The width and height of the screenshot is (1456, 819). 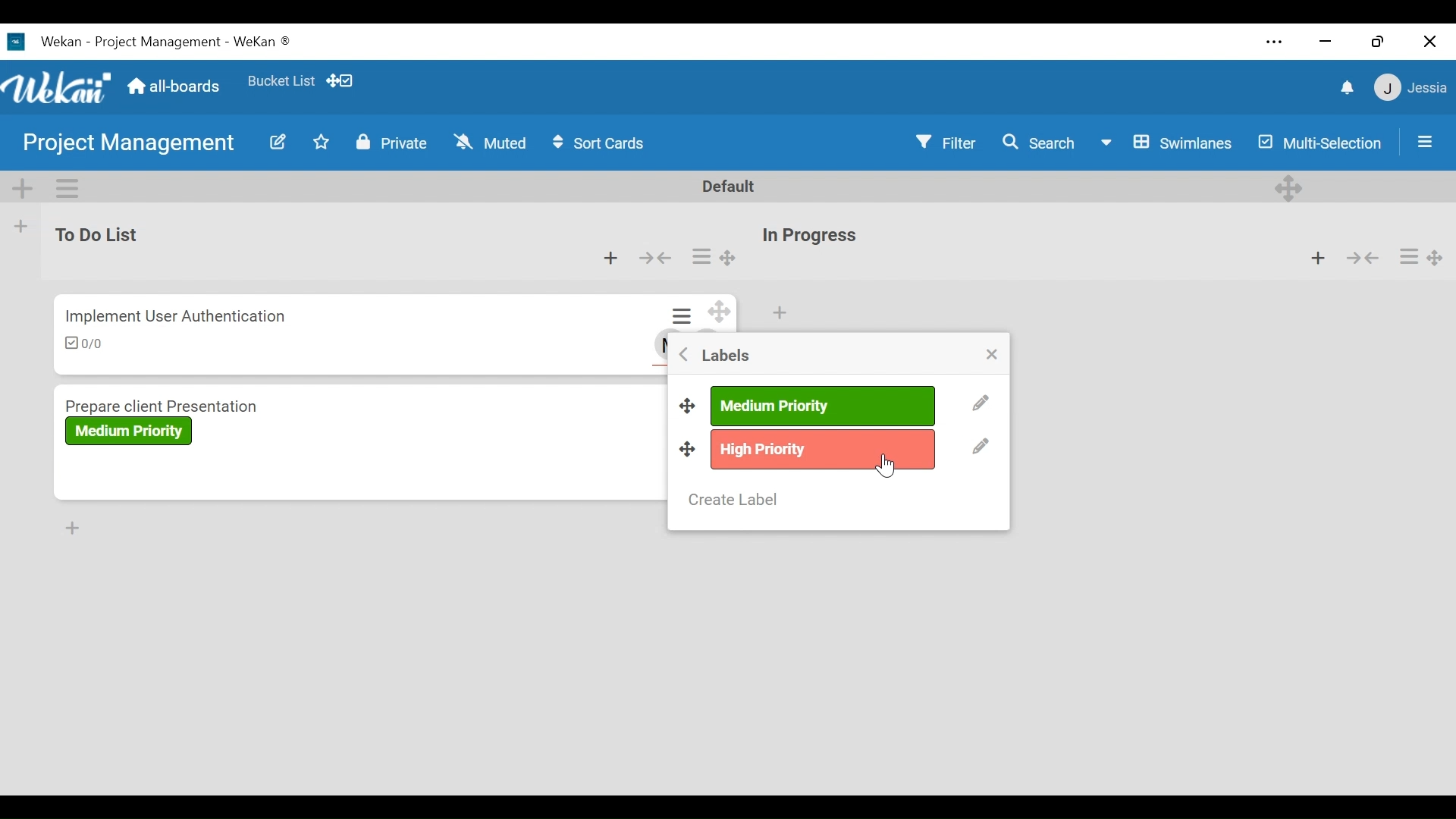 What do you see at coordinates (701, 256) in the screenshot?
I see `Card actions` at bounding box center [701, 256].